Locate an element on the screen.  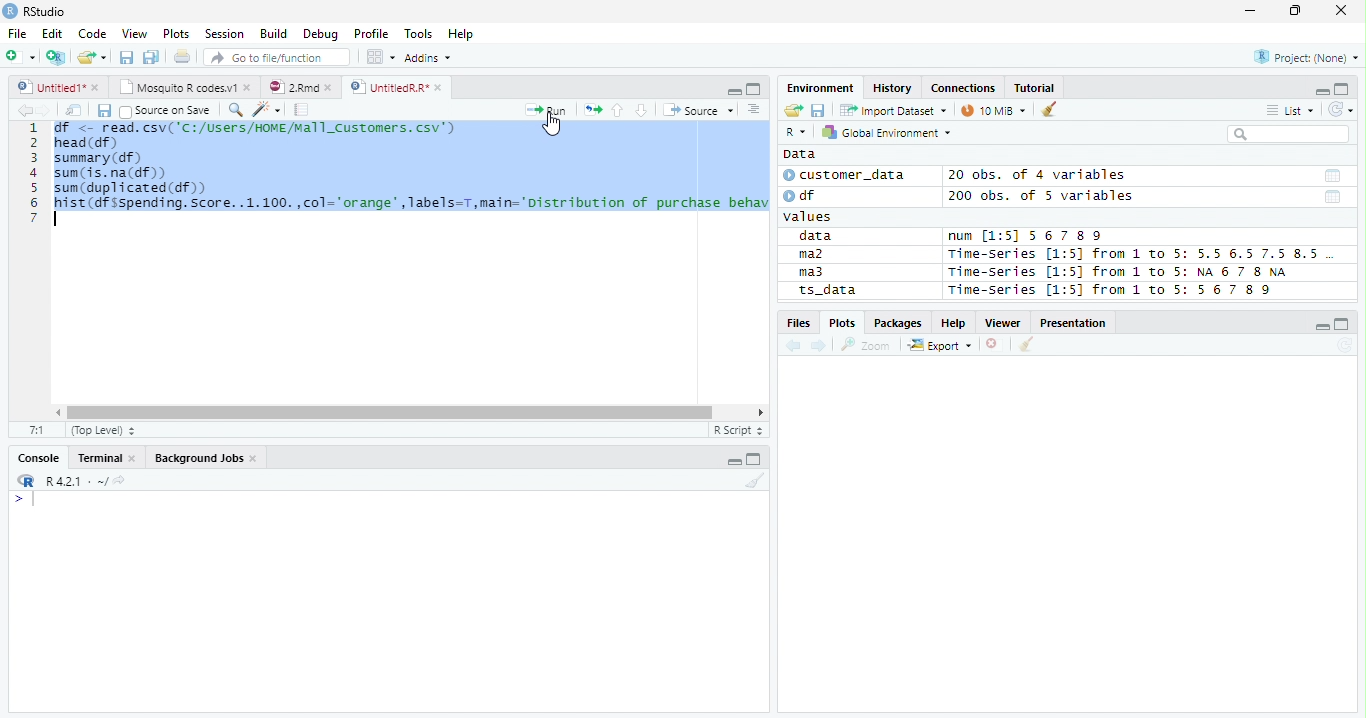
customer_data is located at coordinates (848, 175).